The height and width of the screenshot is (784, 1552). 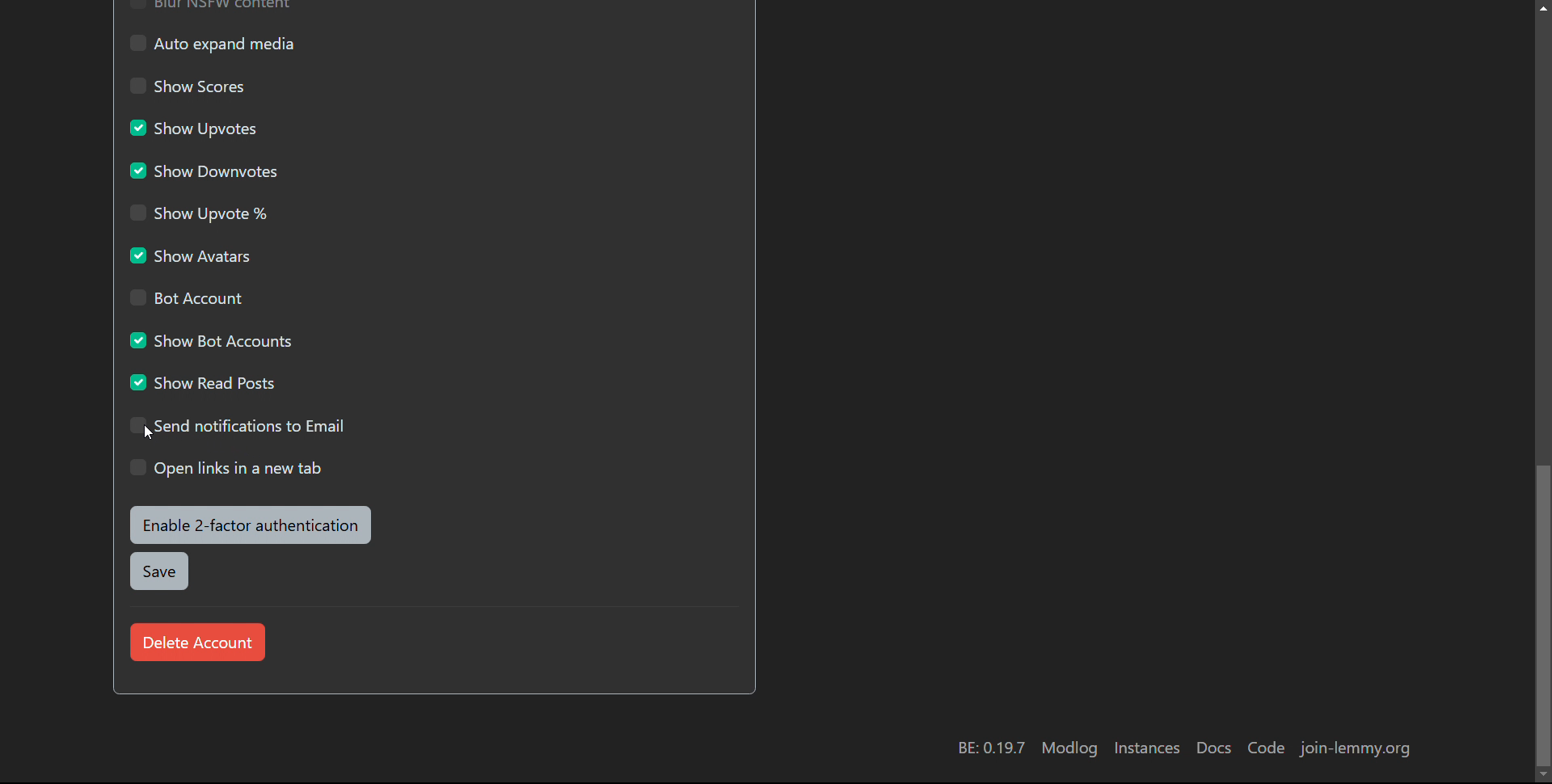 I want to click on scroll up, so click(x=1542, y=6).